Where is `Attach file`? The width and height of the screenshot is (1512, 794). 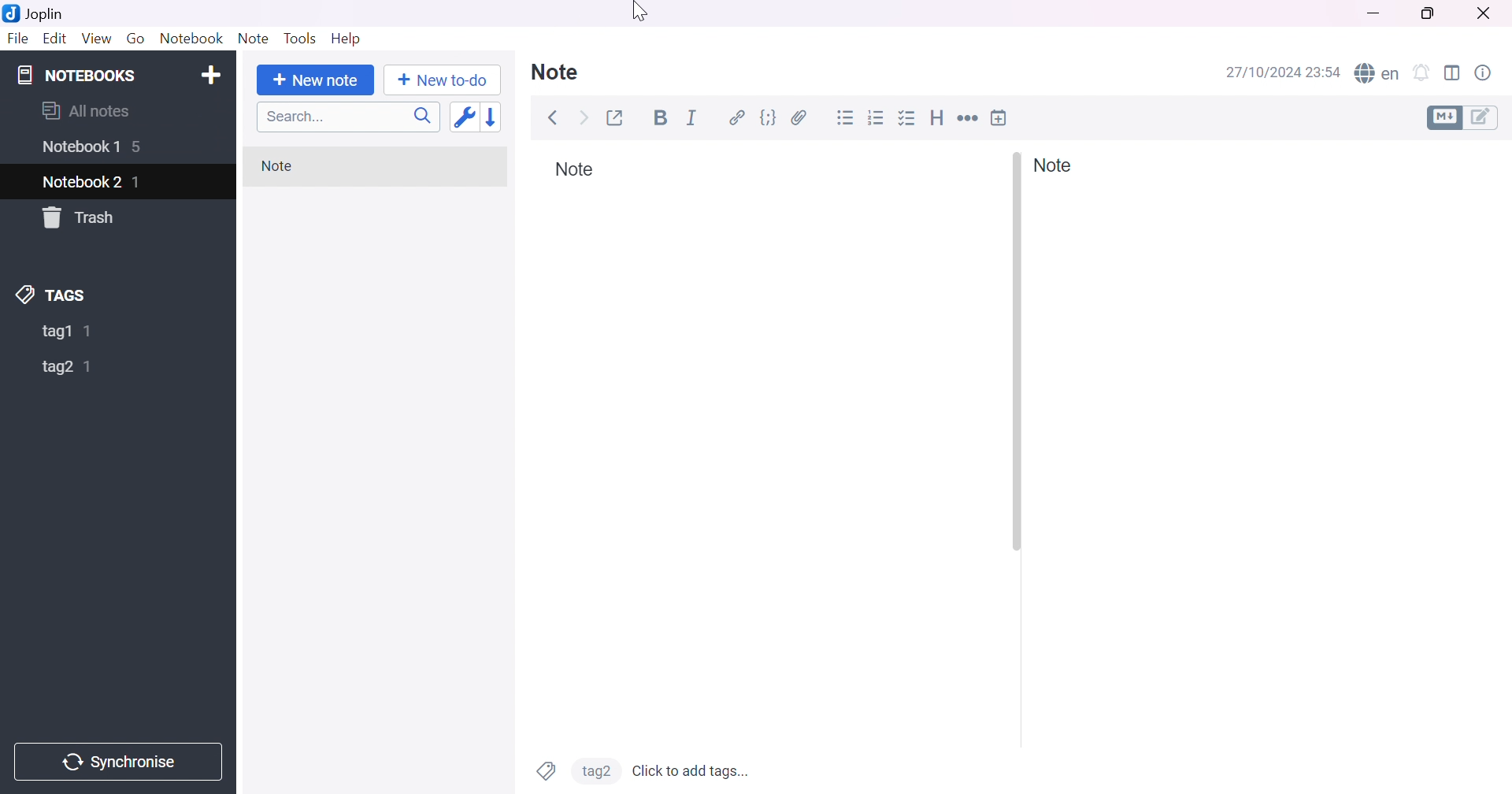
Attach file is located at coordinates (799, 119).